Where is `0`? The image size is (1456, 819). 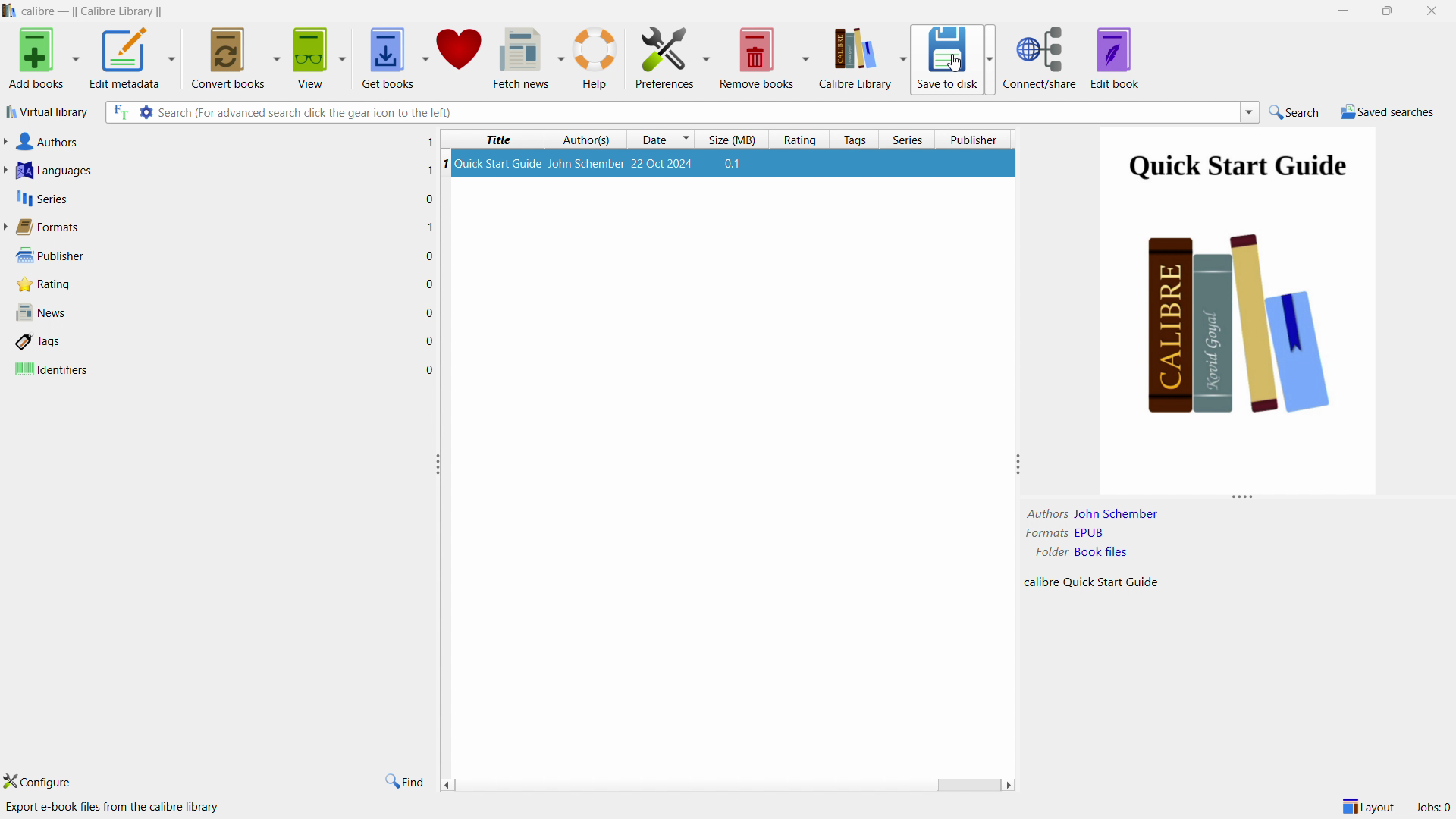
0 is located at coordinates (429, 199).